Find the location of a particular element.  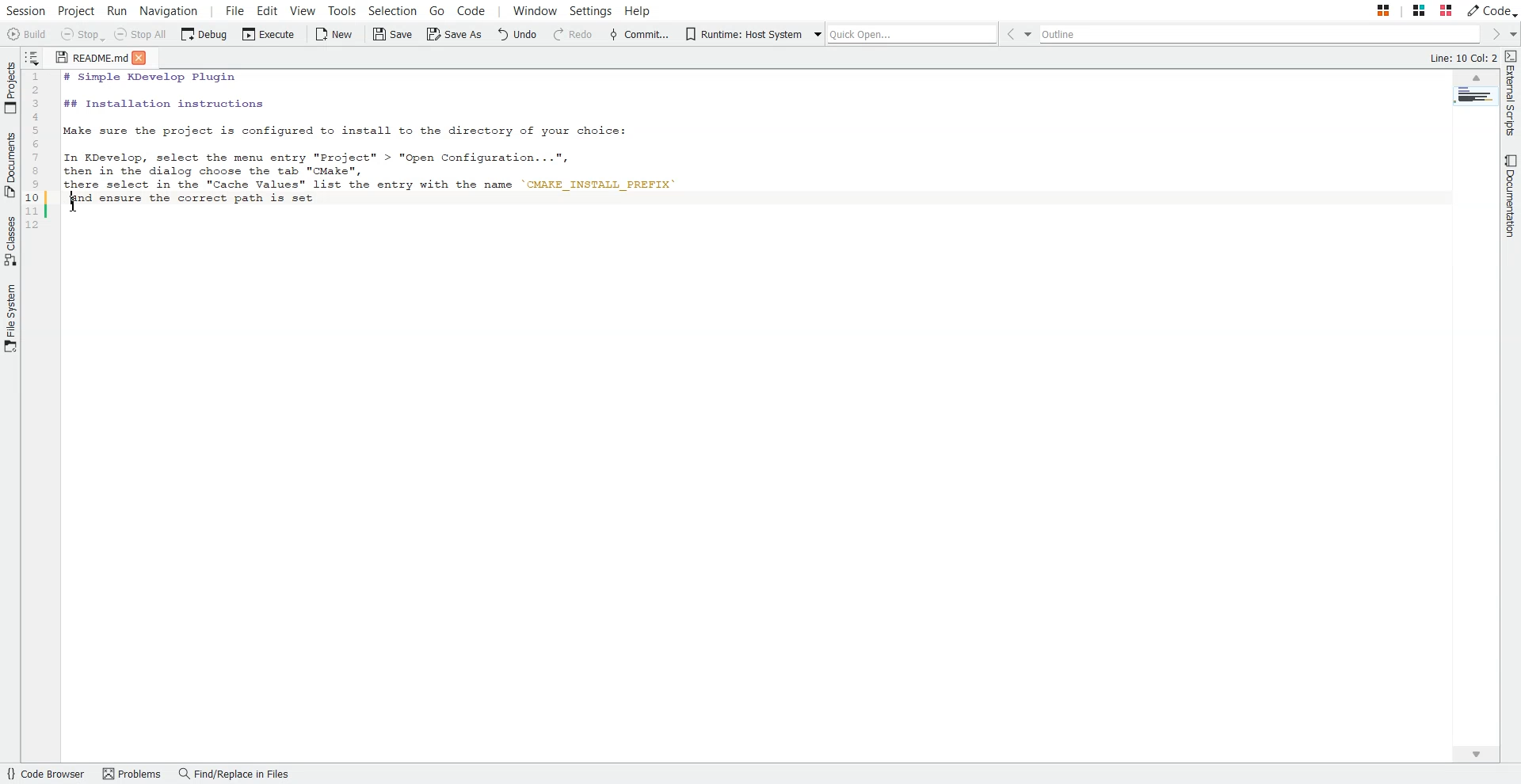

Close is located at coordinates (145, 59).